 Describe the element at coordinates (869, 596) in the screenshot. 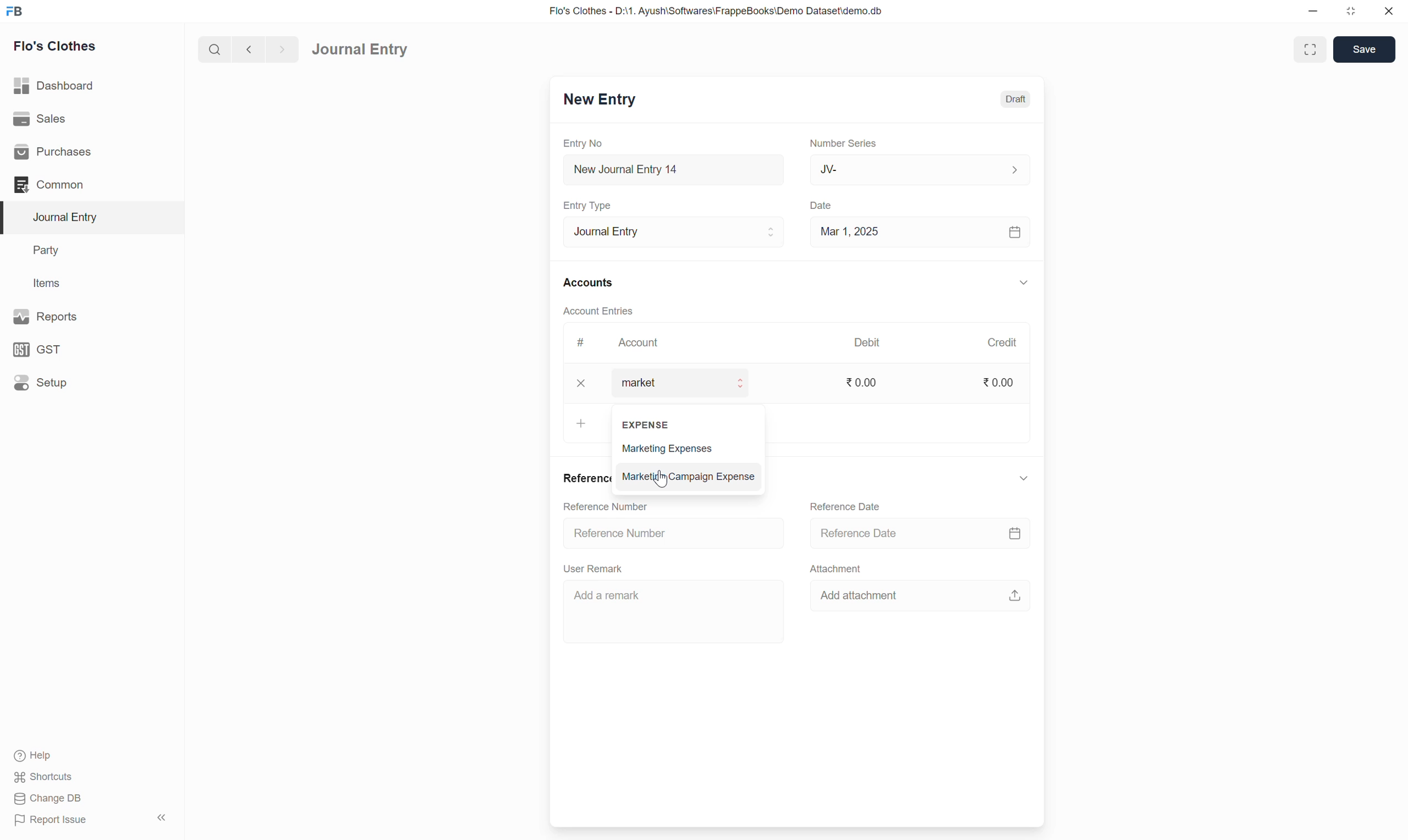

I see `Add attachment` at that location.